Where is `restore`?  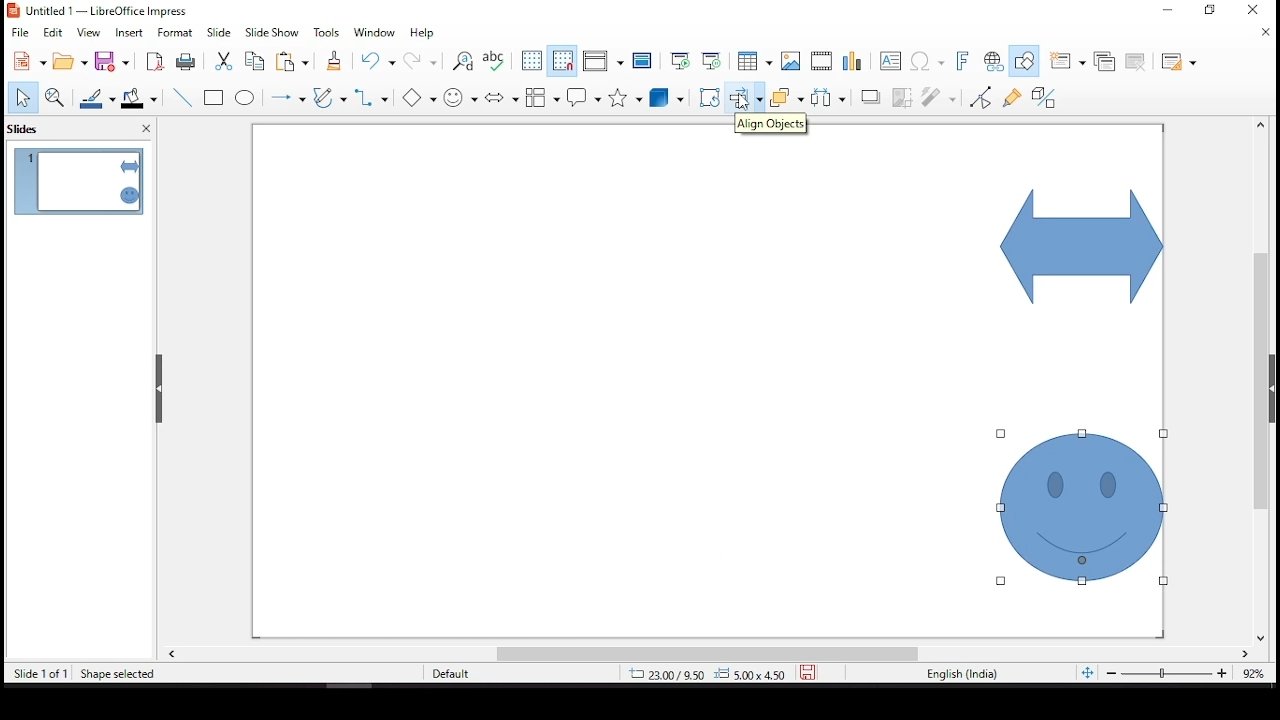 restore is located at coordinates (1167, 11).